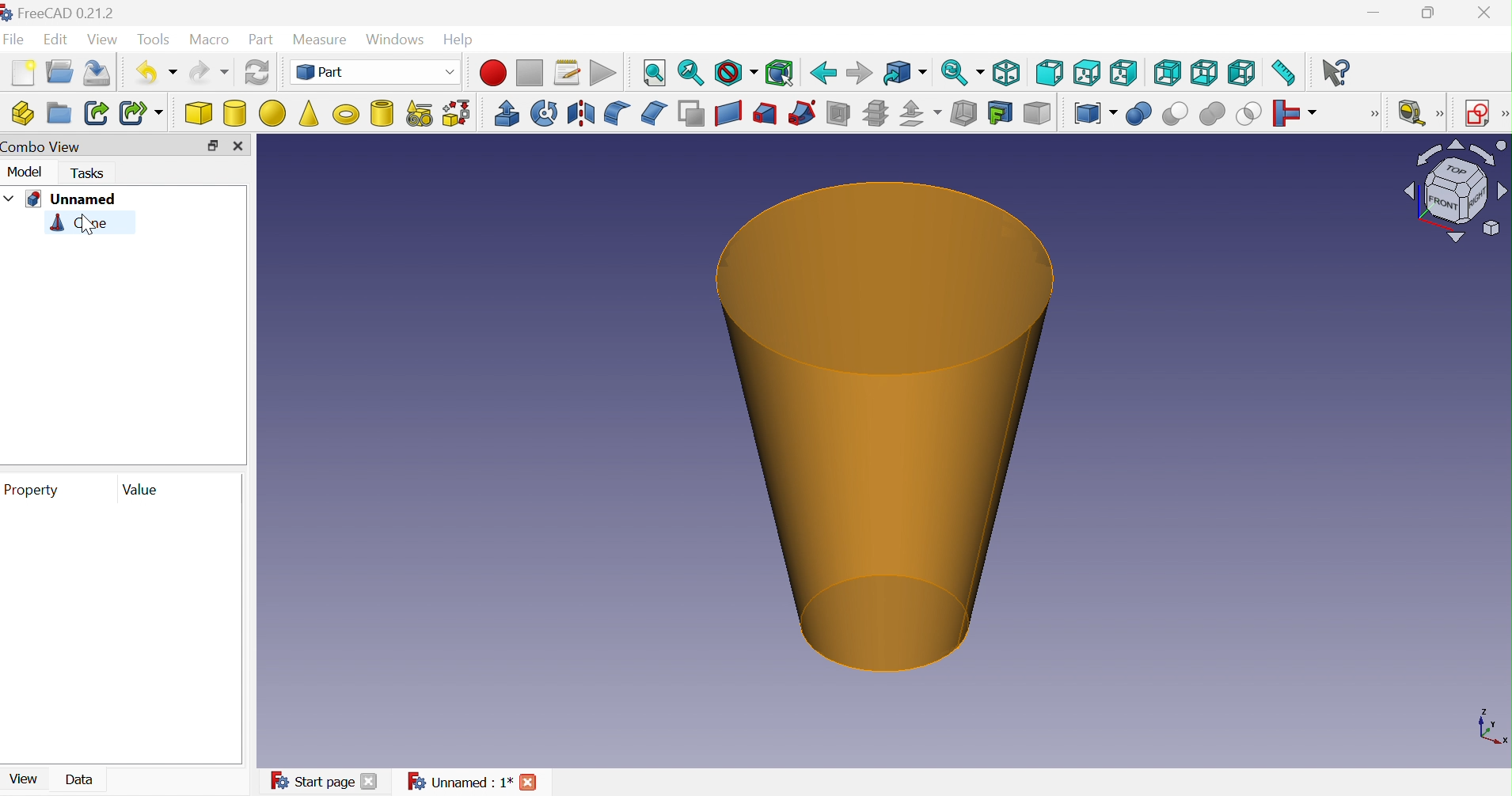 This screenshot has height=796, width=1512. I want to click on Minimize, so click(1374, 13).